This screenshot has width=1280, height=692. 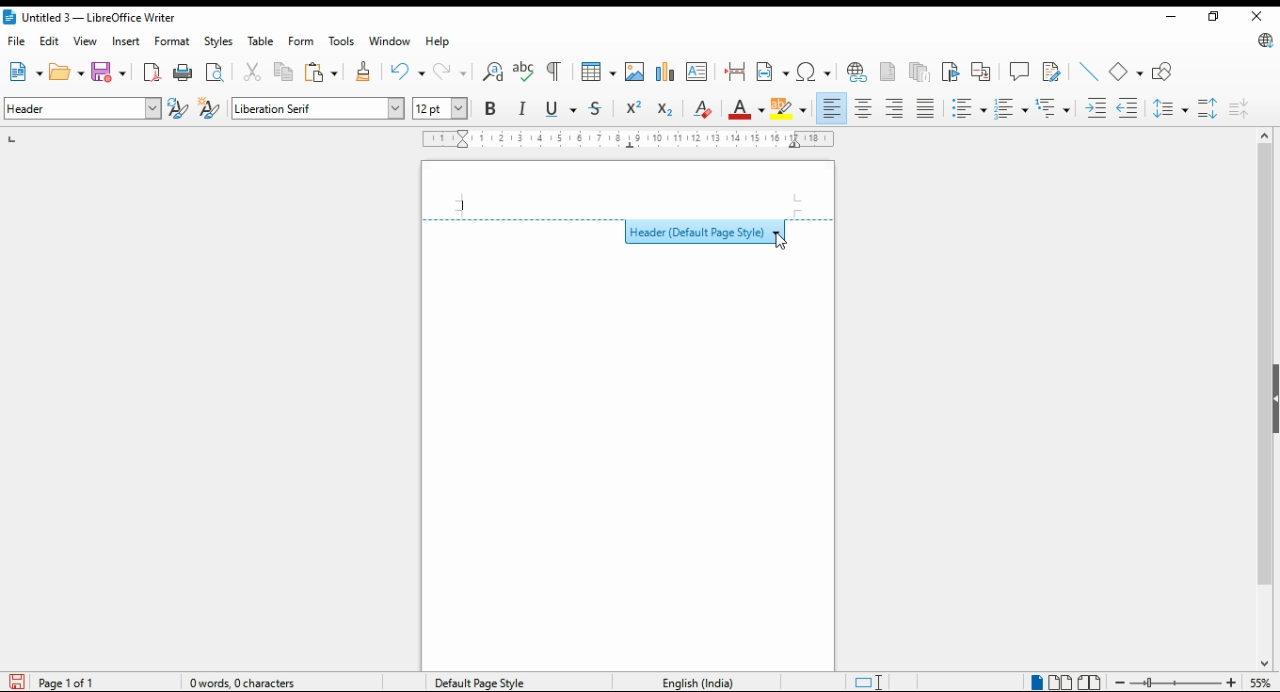 What do you see at coordinates (318, 109) in the screenshot?
I see `font` at bounding box center [318, 109].